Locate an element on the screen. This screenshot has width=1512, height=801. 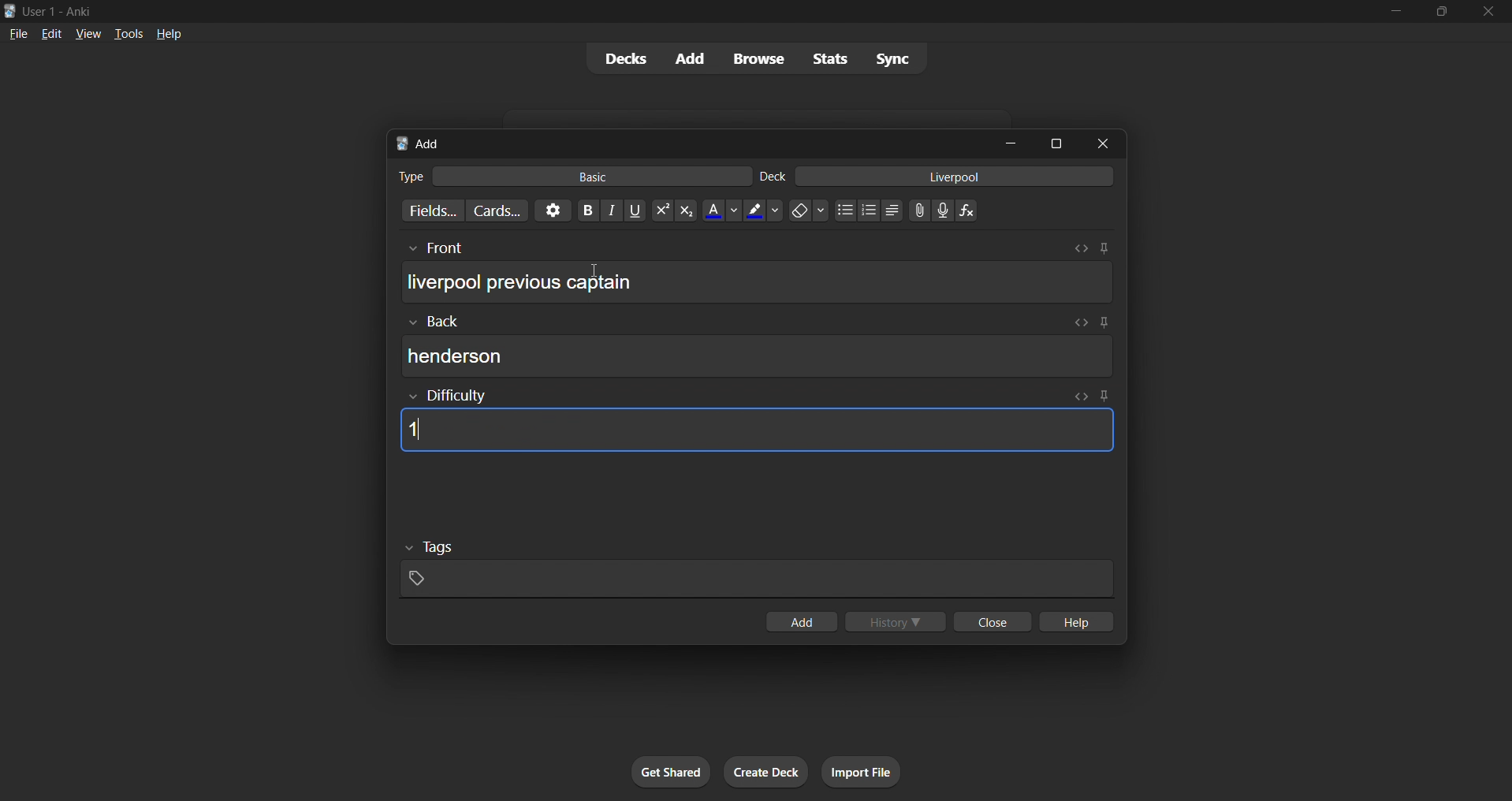
history is located at coordinates (898, 623).